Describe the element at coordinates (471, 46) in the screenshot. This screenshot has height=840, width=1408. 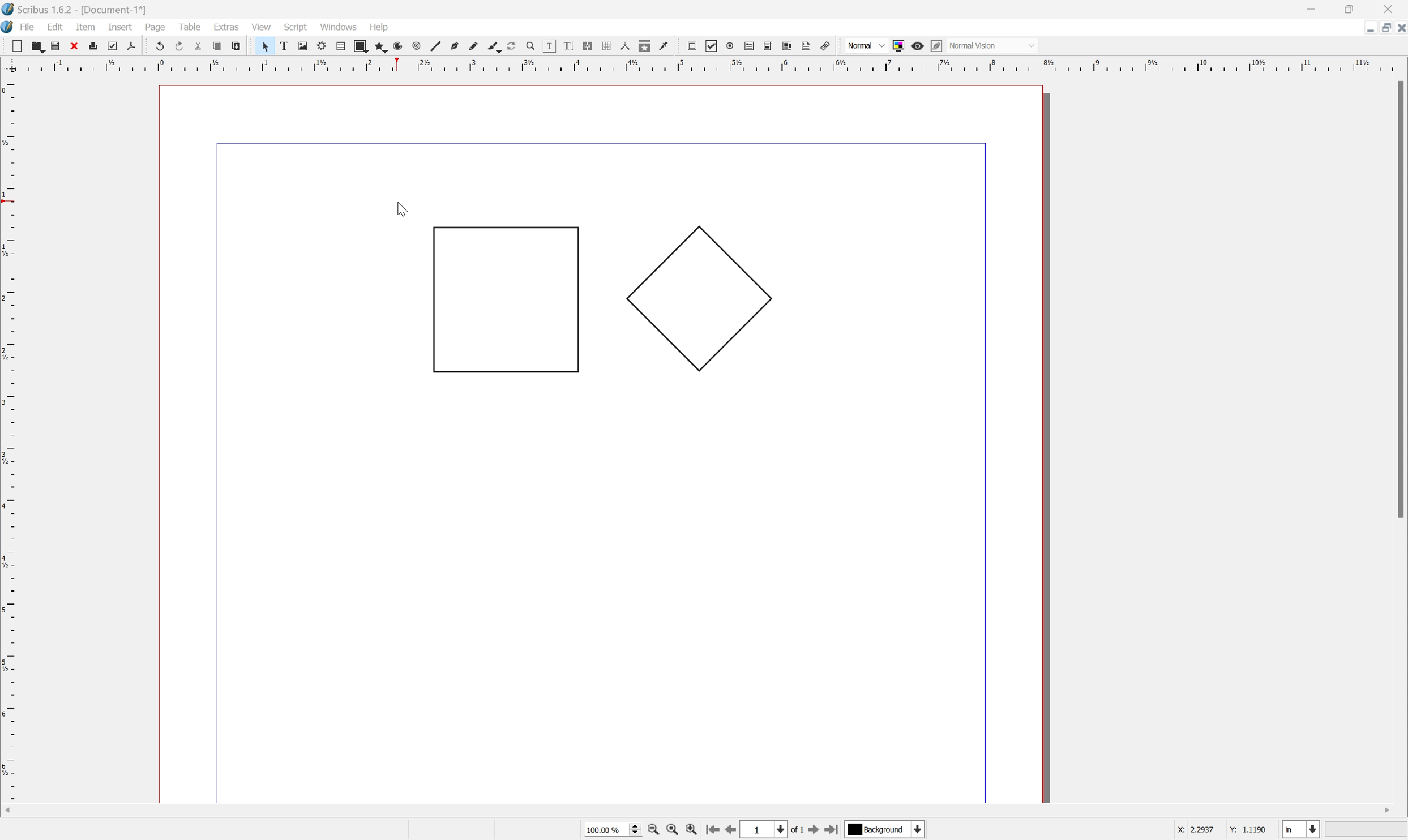
I see `freehand line` at that location.